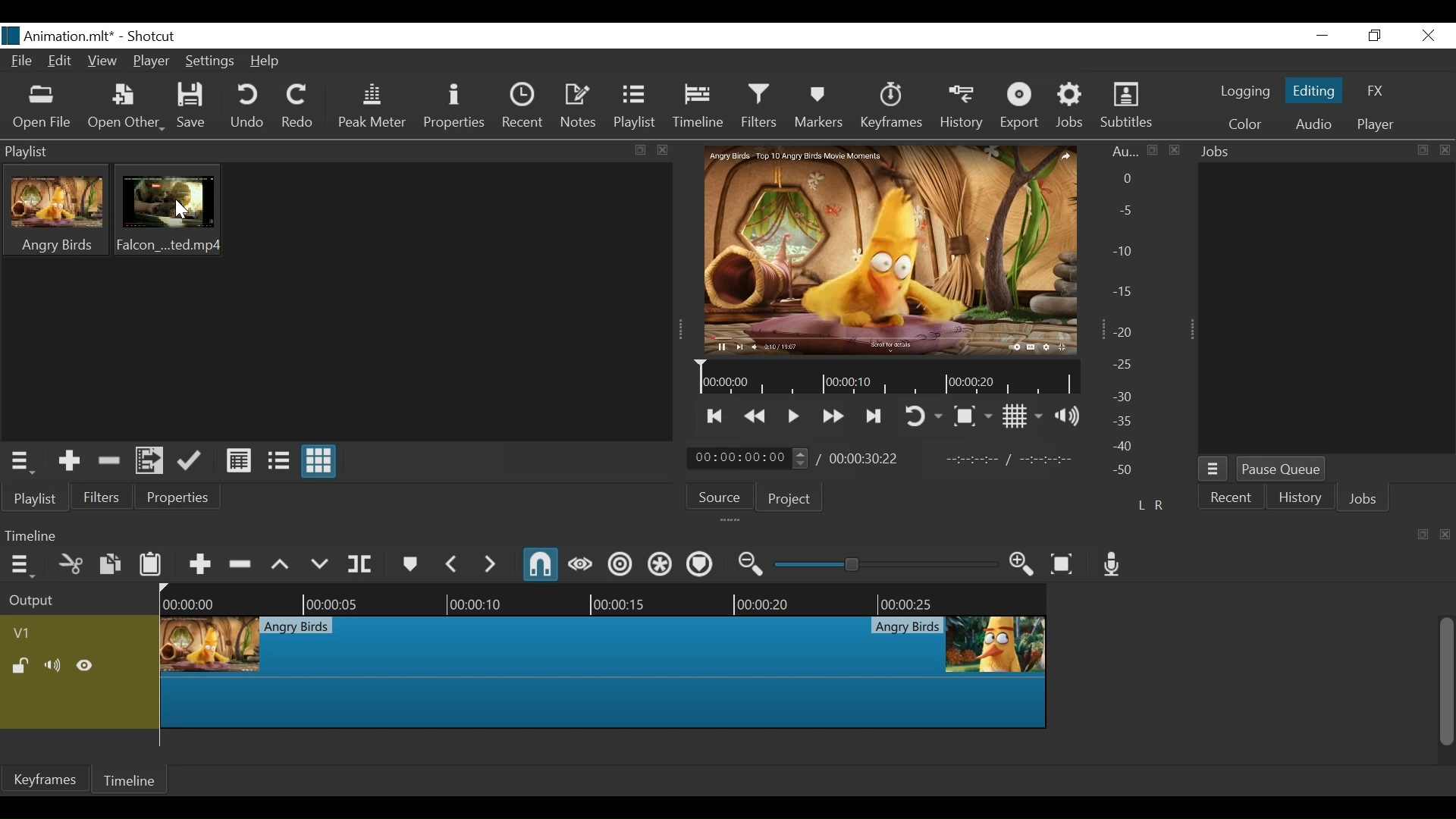 Image resolution: width=1456 pixels, height=819 pixels. I want to click on Filters, so click(104, 496).